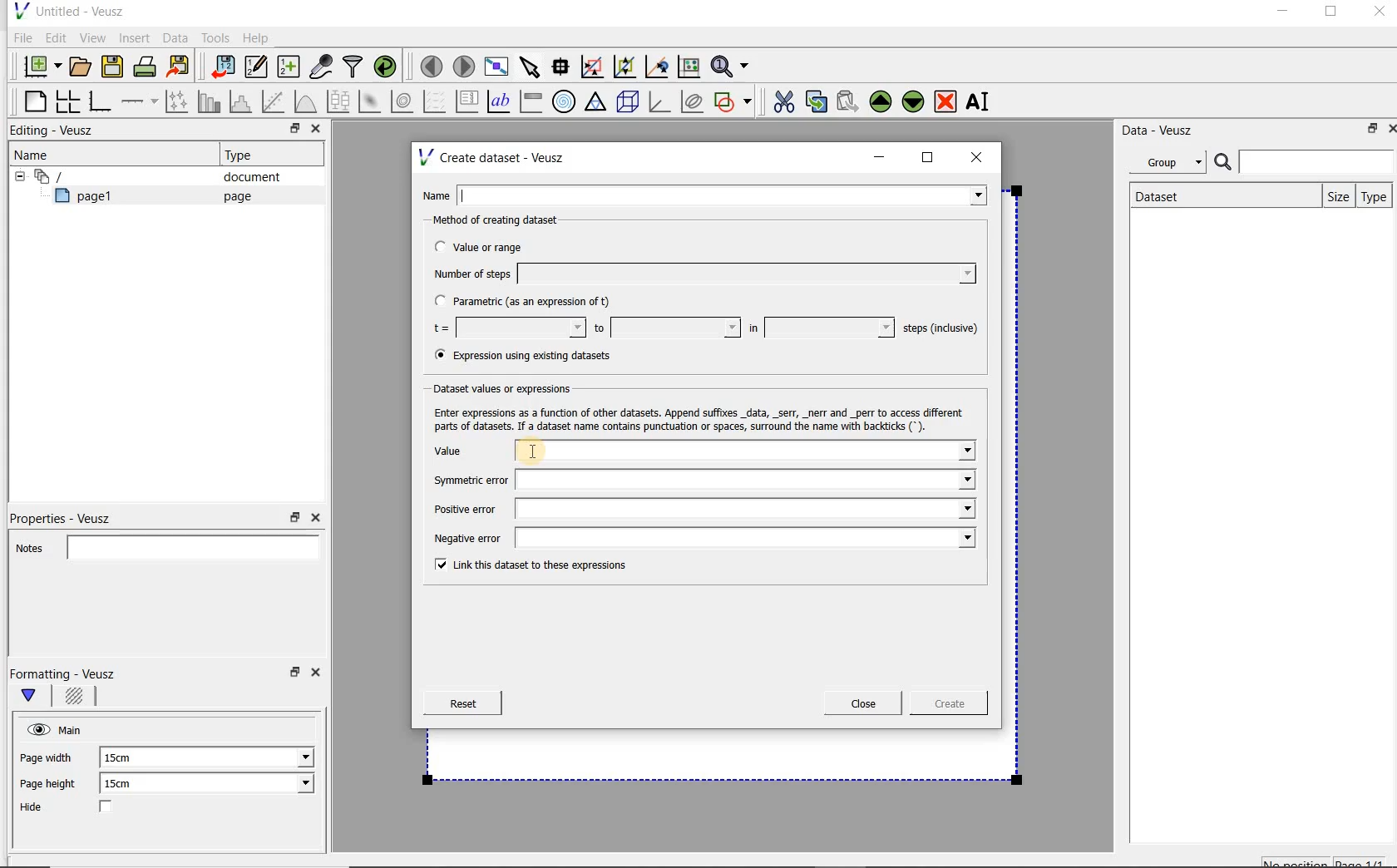  What do you see at coordinates (531, 101) in the screenshot?
I see `image color bar` at bounding box center [531, 101].